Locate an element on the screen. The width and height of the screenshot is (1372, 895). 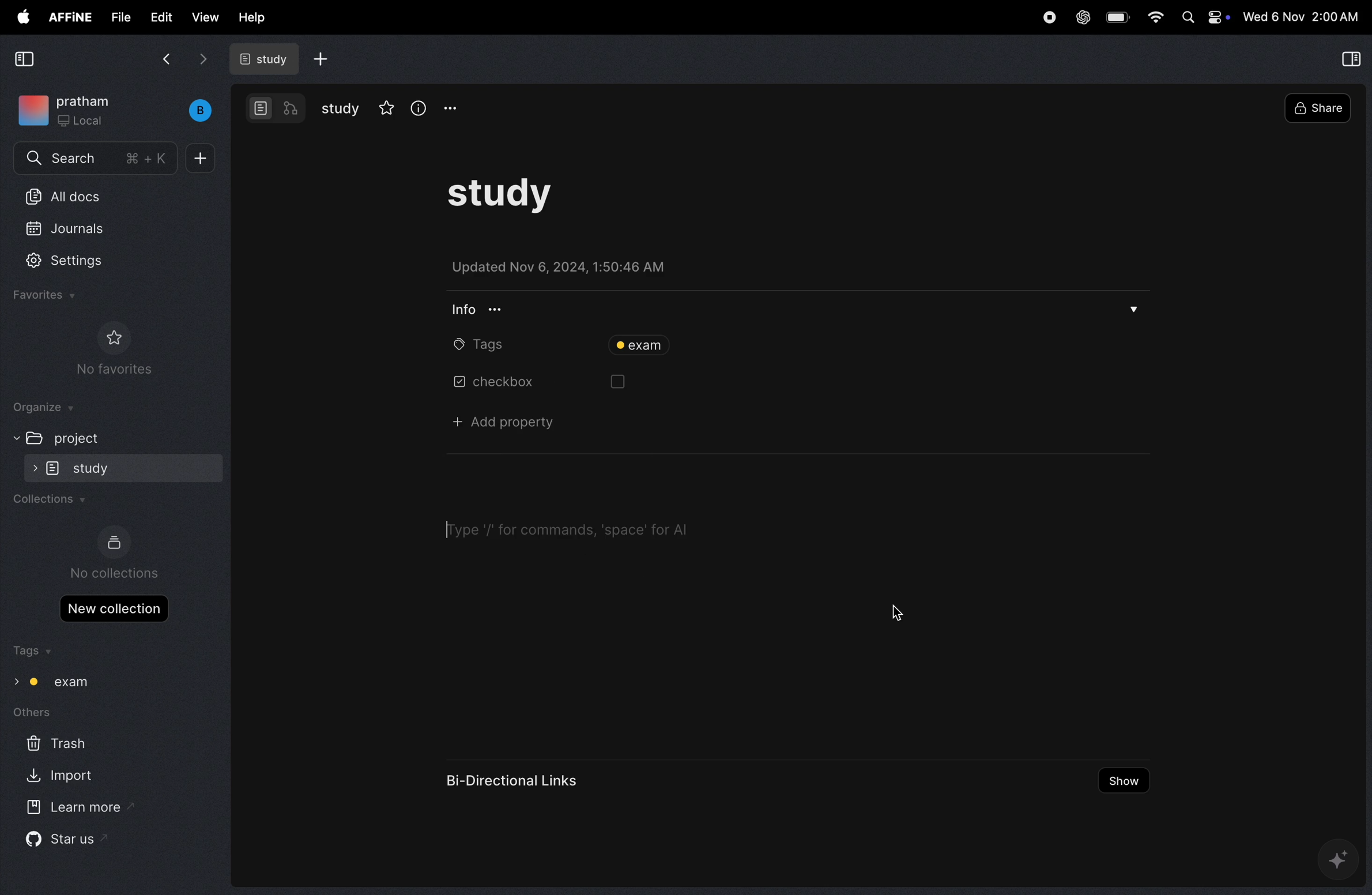
new collections is located at coordinates (115, 611).